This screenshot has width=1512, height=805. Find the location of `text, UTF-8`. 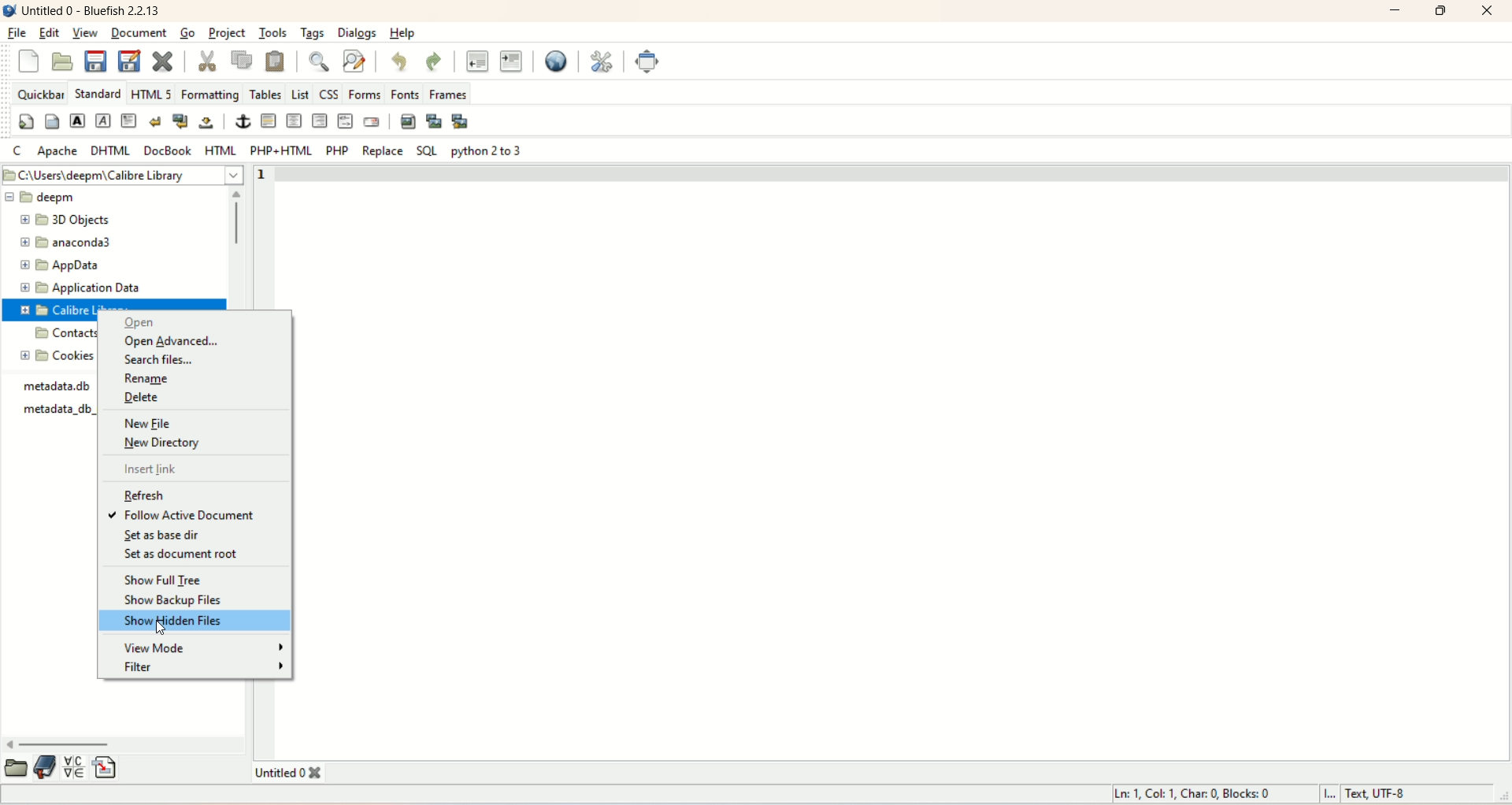

text, UTF-8 is located at coordinates (1401, 794).